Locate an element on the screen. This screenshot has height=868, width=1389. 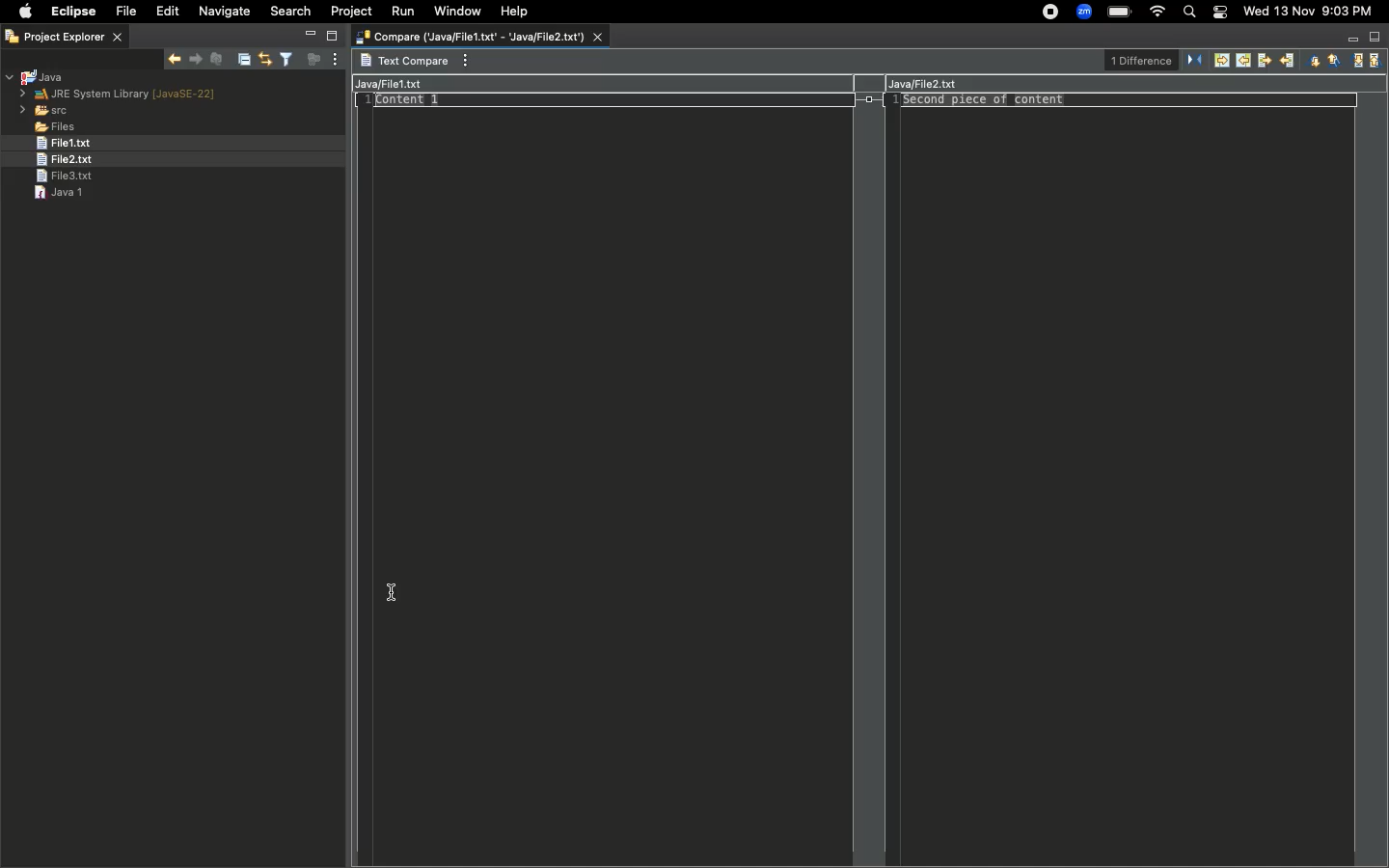
Swap left and right view is located at coordinates (1194, 62).